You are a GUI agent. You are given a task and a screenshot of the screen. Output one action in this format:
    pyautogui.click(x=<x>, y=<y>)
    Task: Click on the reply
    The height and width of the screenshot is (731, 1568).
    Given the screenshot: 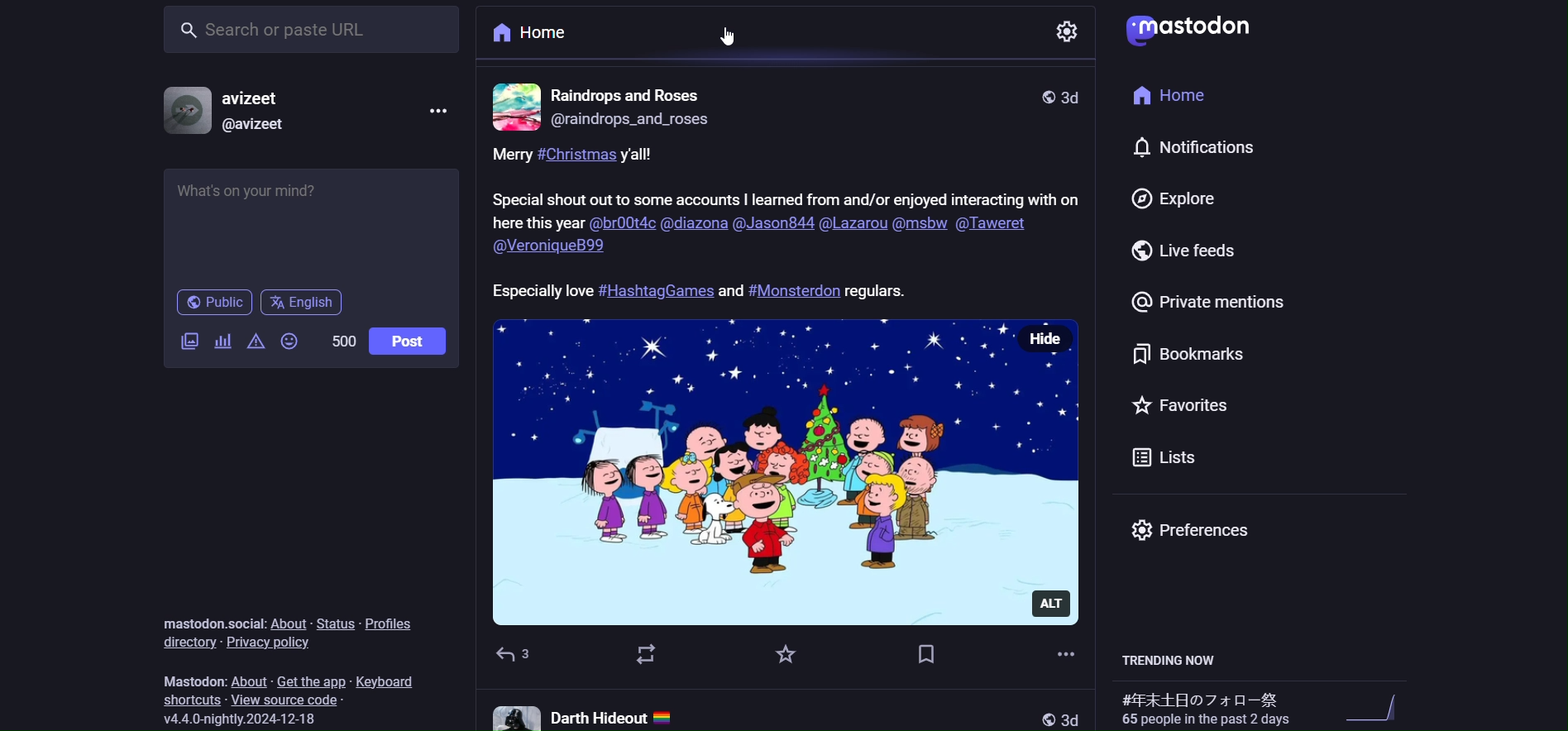 What is the action you would take?
    pyautogui.click(x=513, y=655)
    